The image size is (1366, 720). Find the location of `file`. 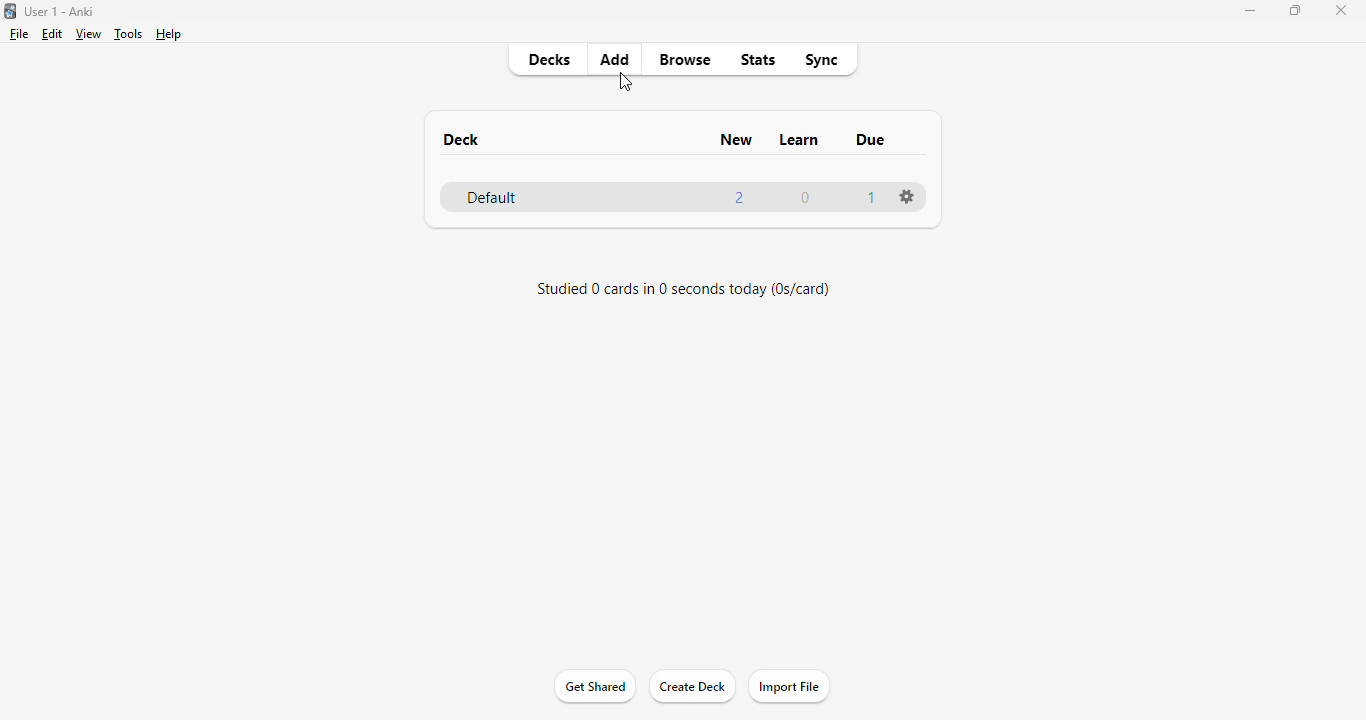

file is located at coordinates (20, 34).